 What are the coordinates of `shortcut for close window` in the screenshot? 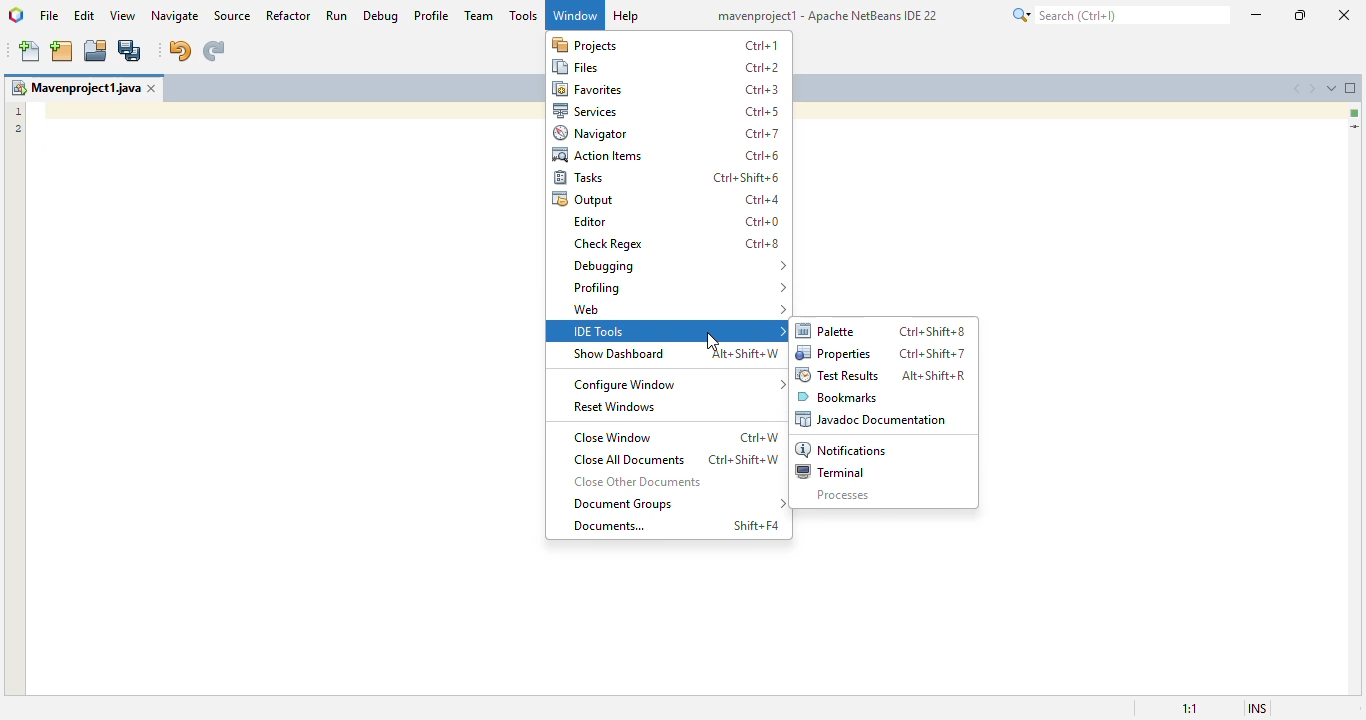 It's located at (760, 437).